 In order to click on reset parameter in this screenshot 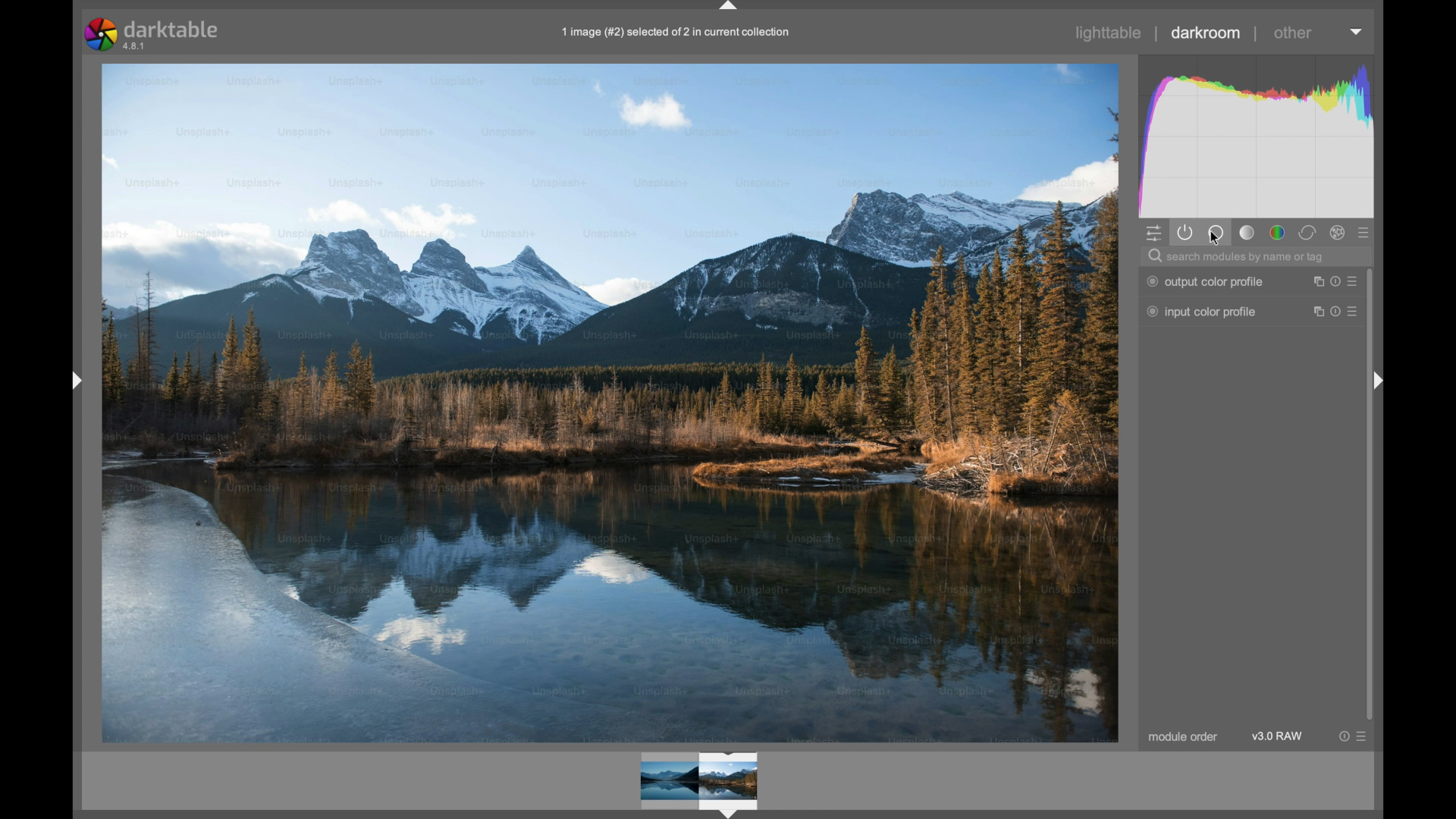, I will do `click(1336, 312)`.